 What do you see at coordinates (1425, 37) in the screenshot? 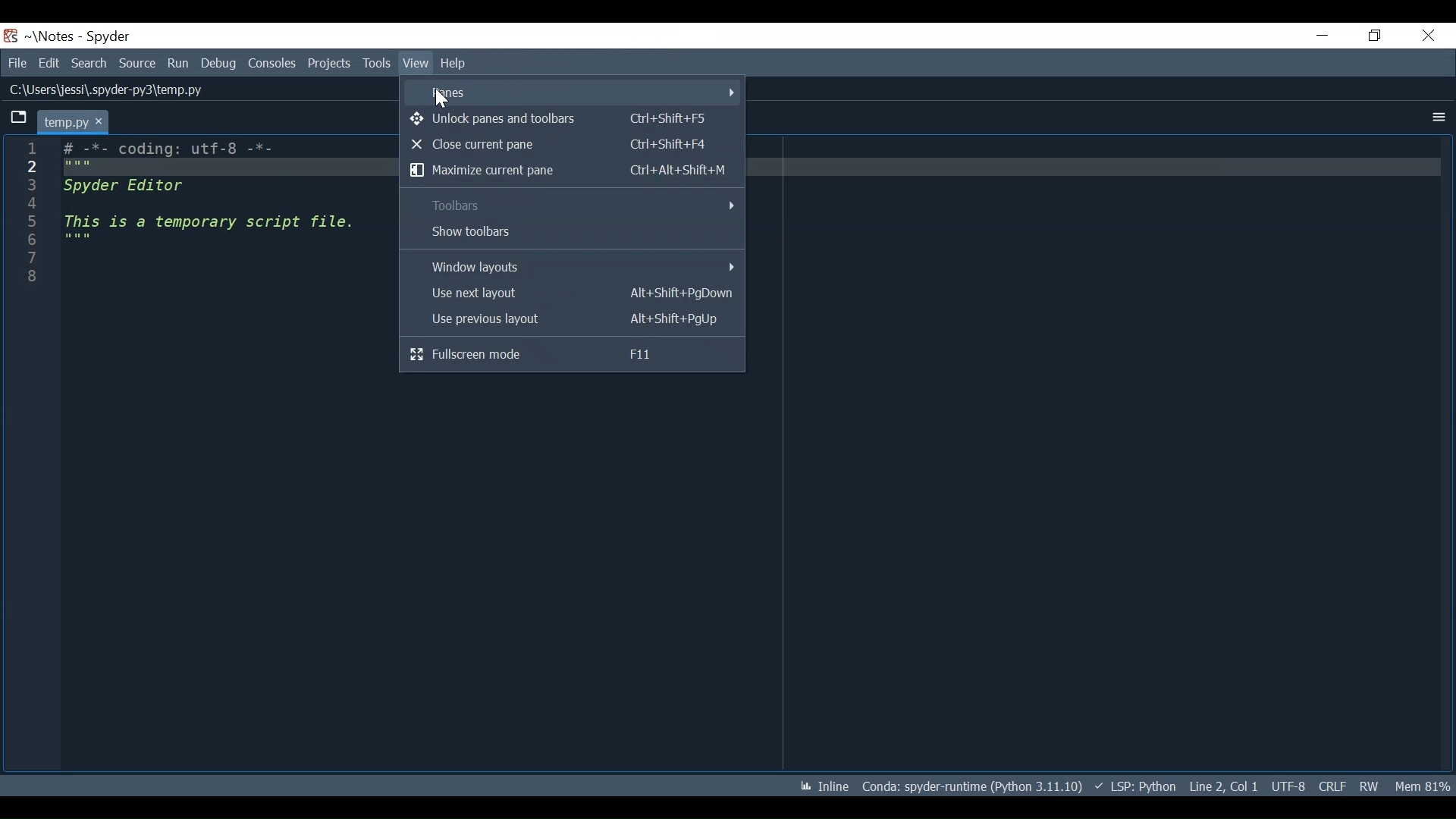
I see `Close` at bounding box center [1425, 37].